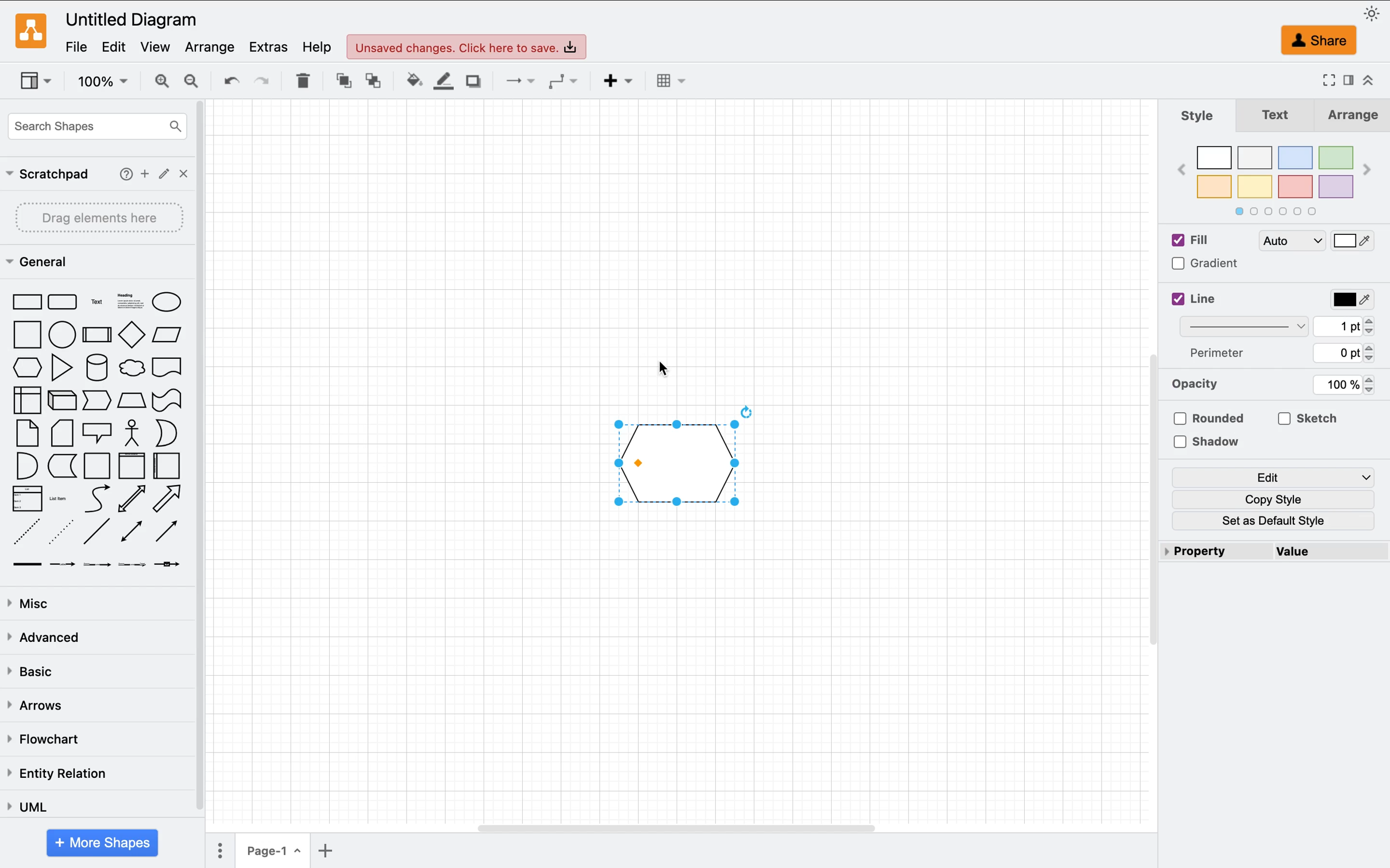 The image size is (1390, 868). Describe the element at coordinates (1275, 118) in the screenshot. I see `Text` at that location.